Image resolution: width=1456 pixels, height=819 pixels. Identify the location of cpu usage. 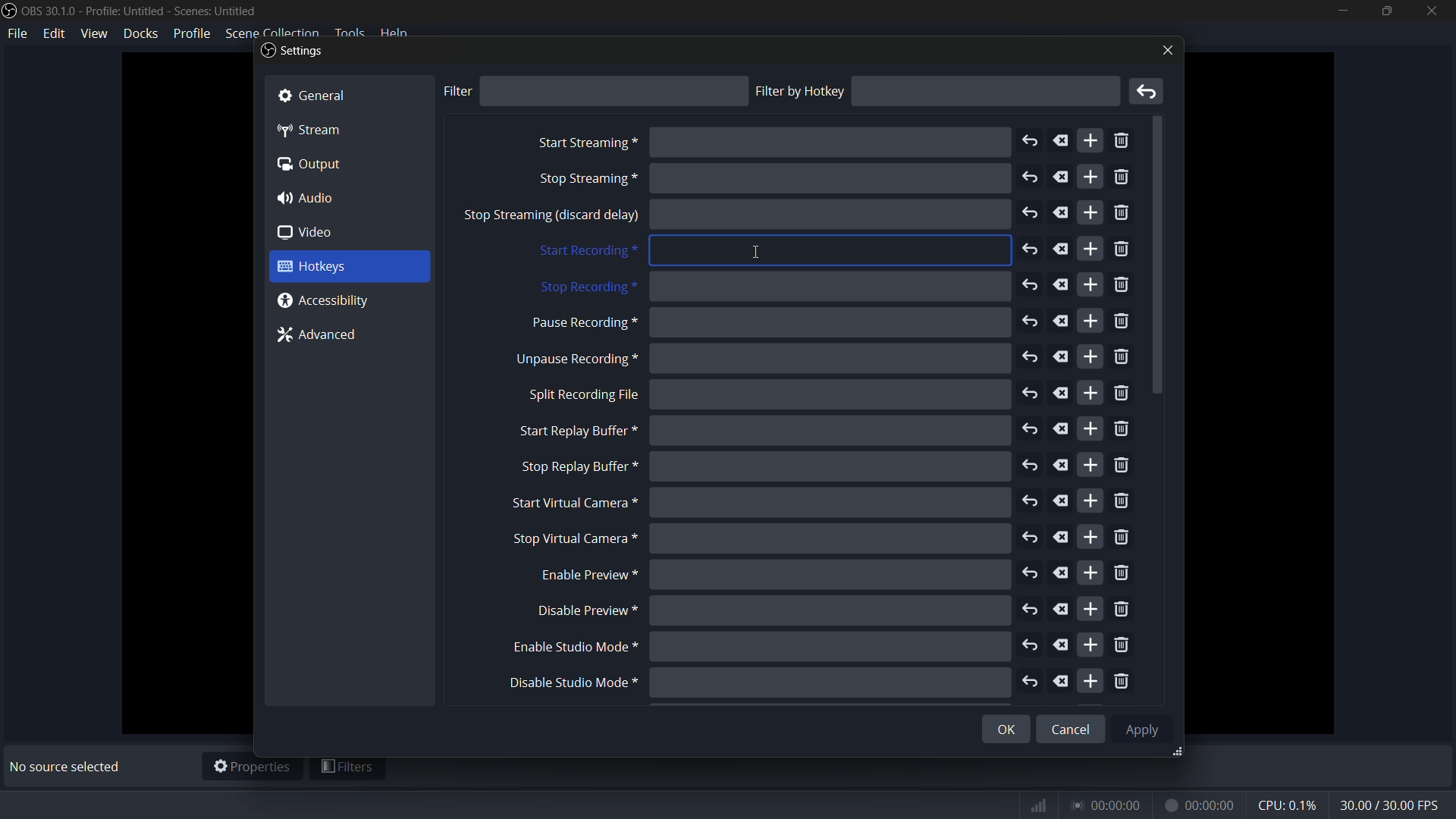
(1289, 805).